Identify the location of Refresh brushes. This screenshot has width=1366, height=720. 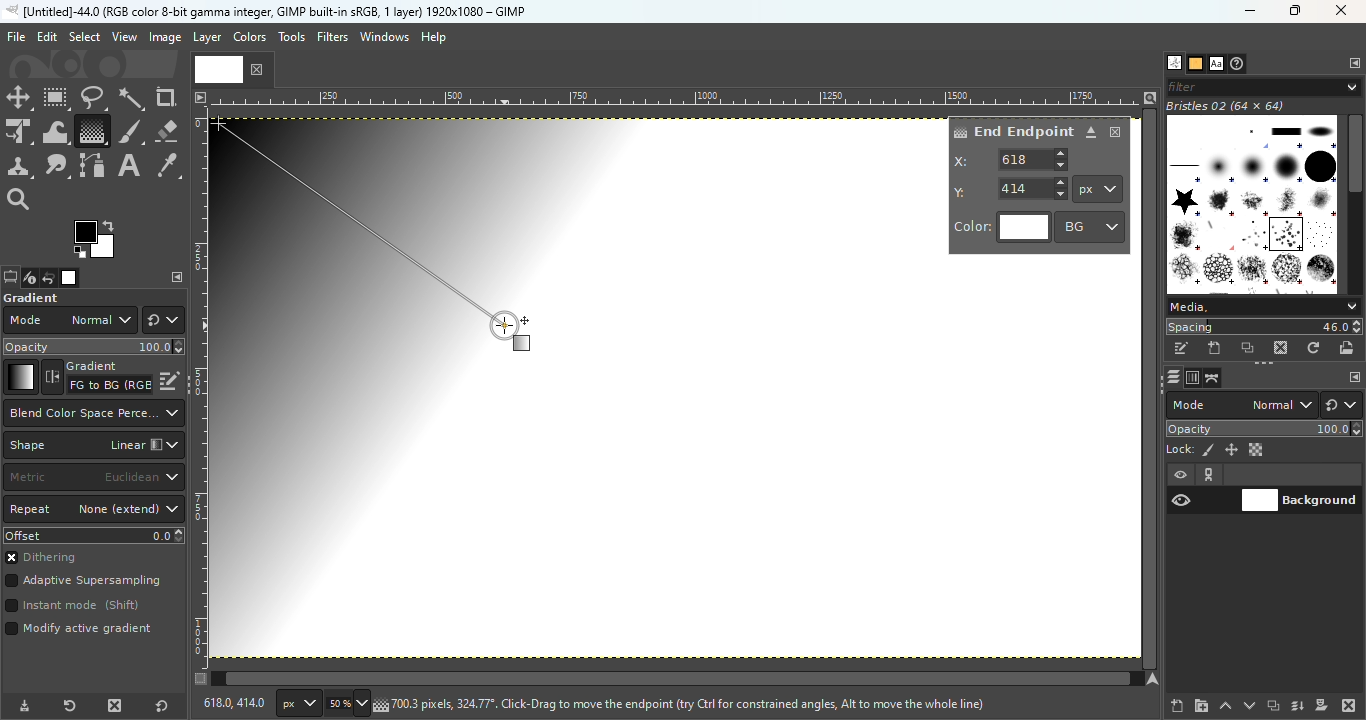
(1314, 348).